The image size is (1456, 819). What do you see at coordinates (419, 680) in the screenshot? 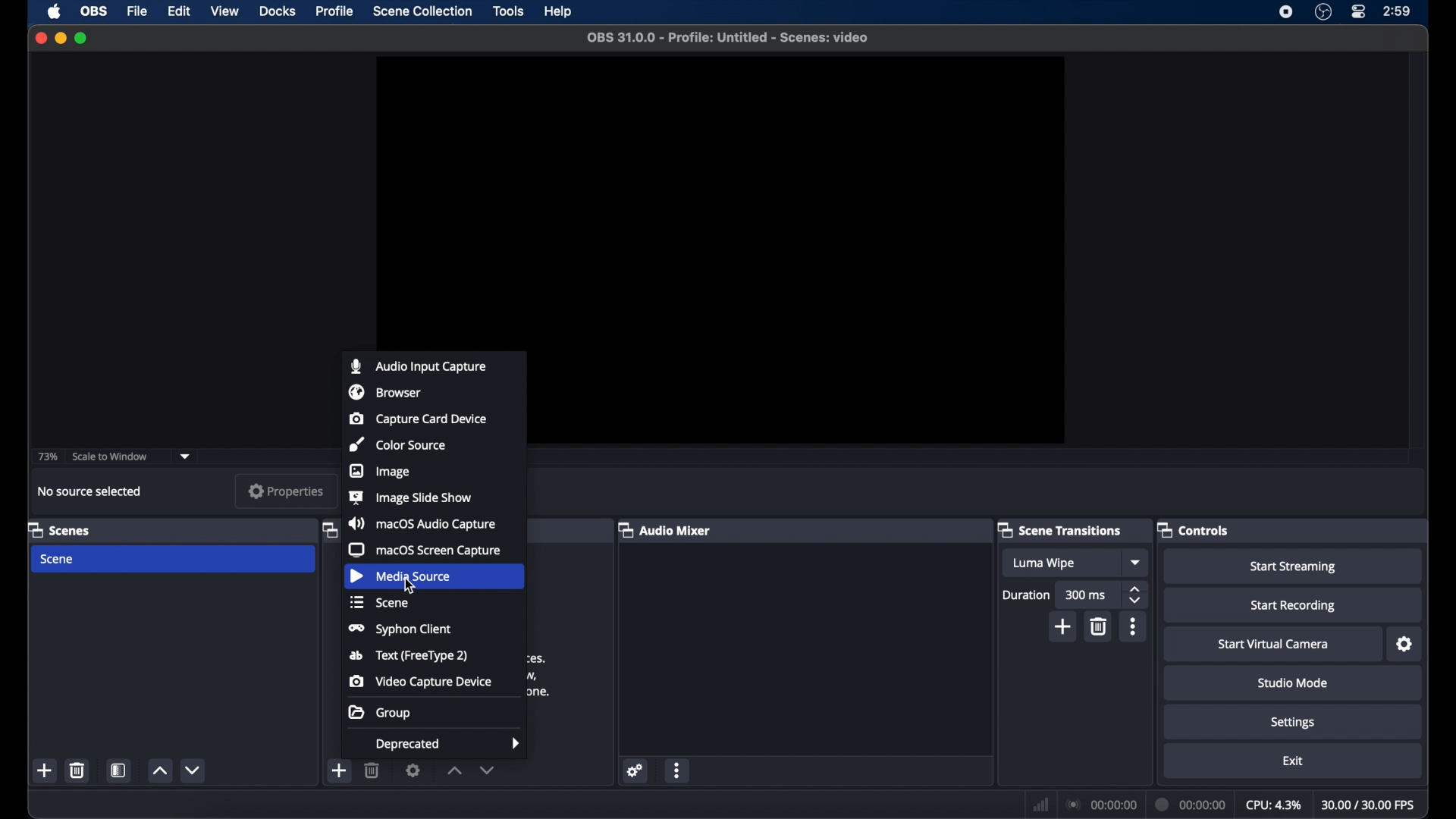
I see `video capture device` at bounding box center [419, 680].